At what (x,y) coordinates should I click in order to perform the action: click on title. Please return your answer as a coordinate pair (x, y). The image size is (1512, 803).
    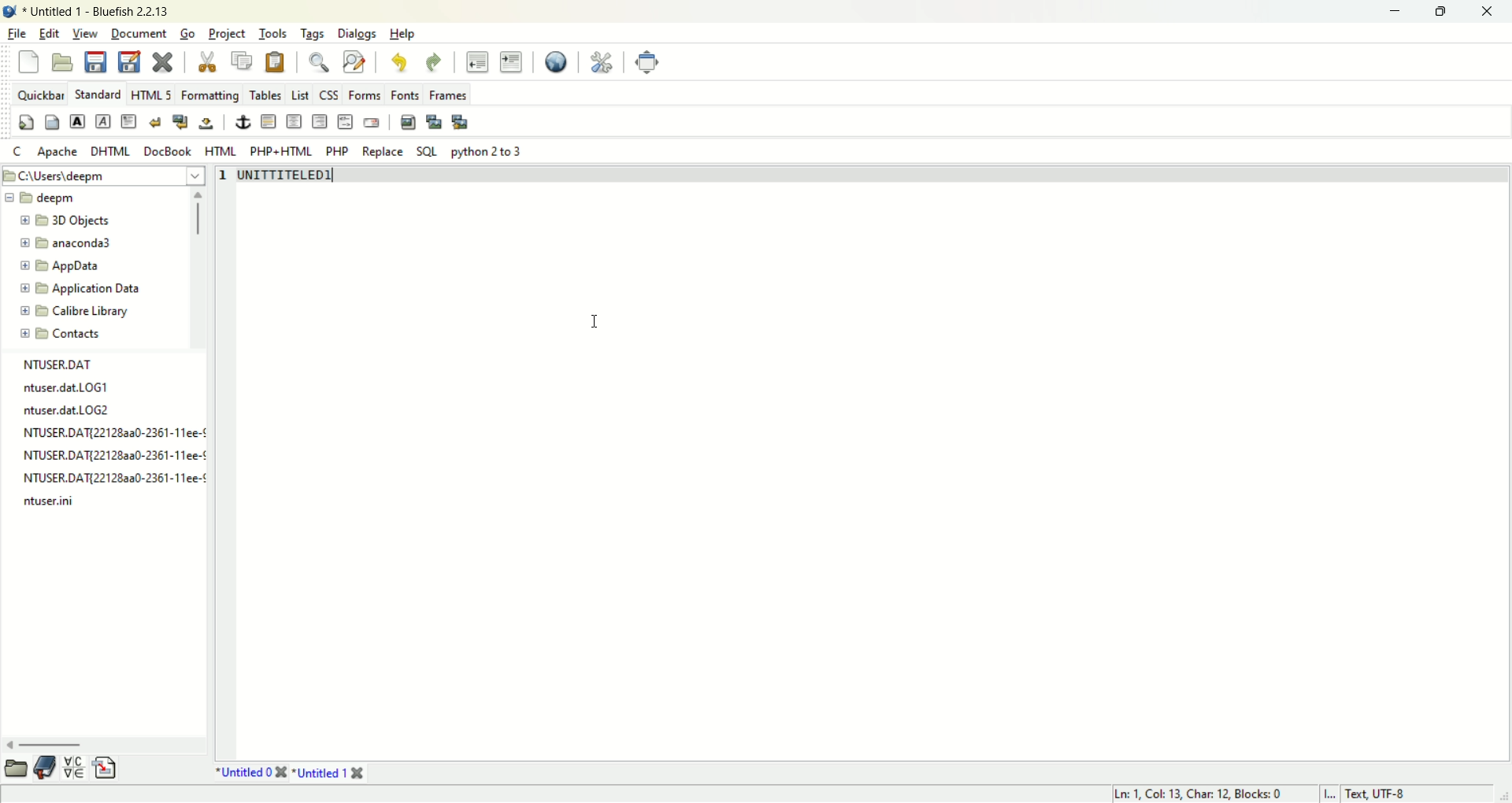
    Looking at the image, I should click on (98, 12).